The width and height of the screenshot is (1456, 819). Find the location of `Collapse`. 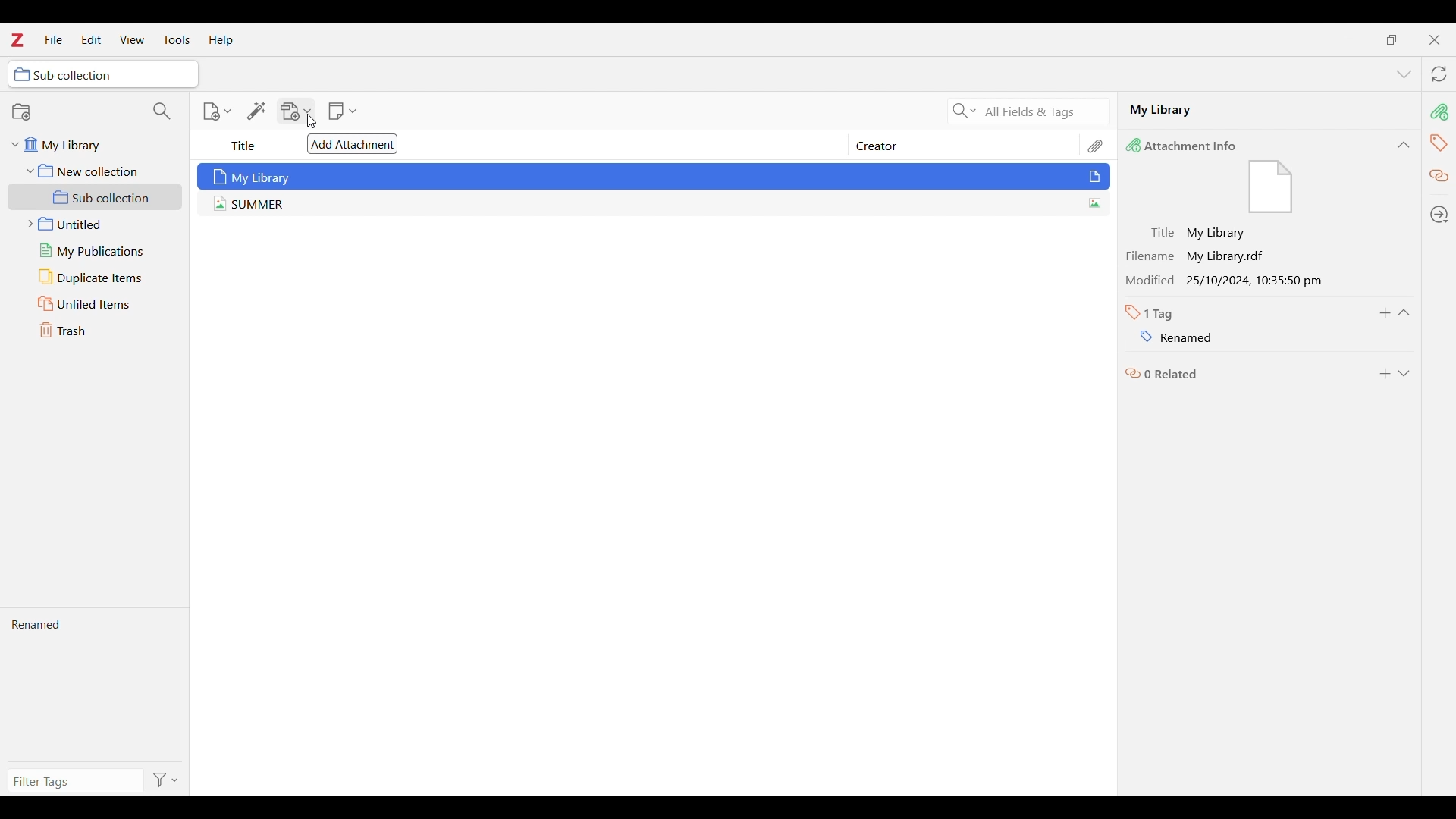

Collapse is located at coordinates (1404, 145).